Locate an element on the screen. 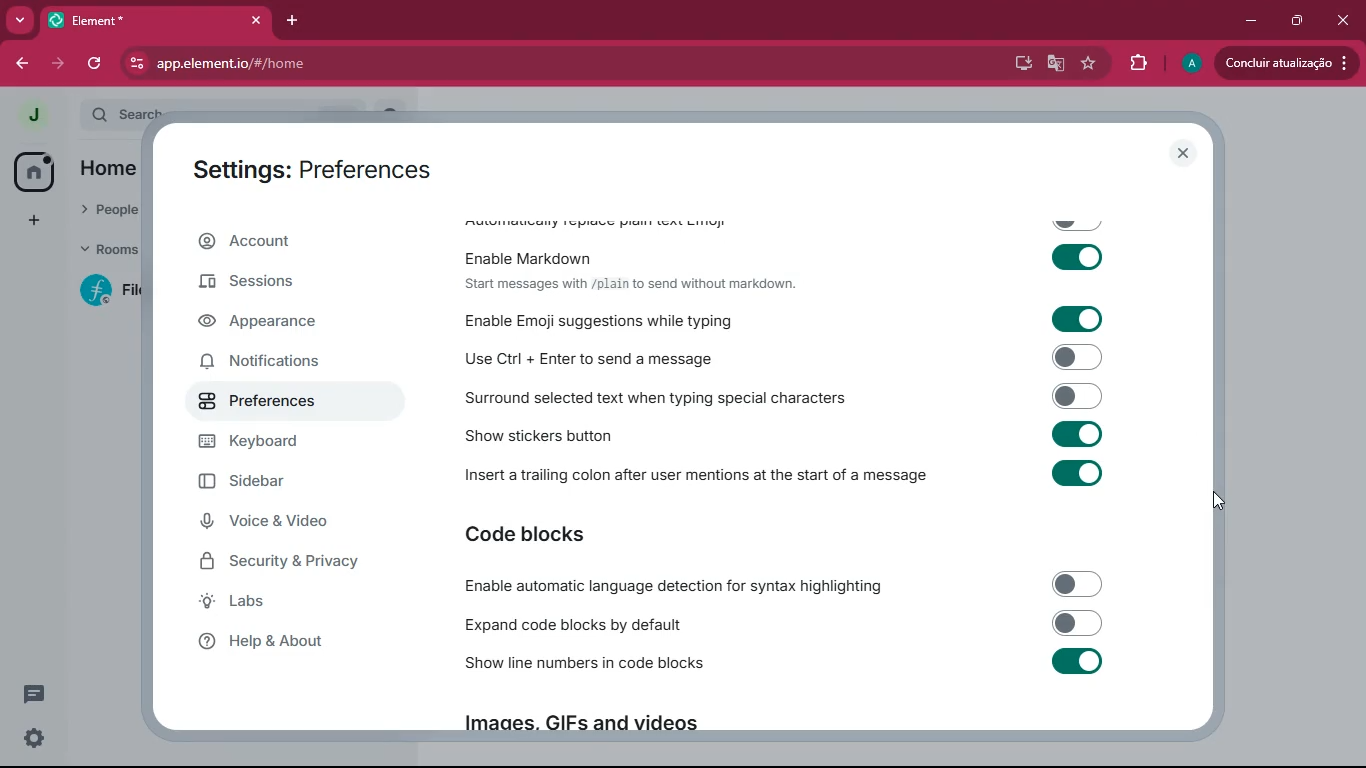  more is located at coordinates (20, 19).